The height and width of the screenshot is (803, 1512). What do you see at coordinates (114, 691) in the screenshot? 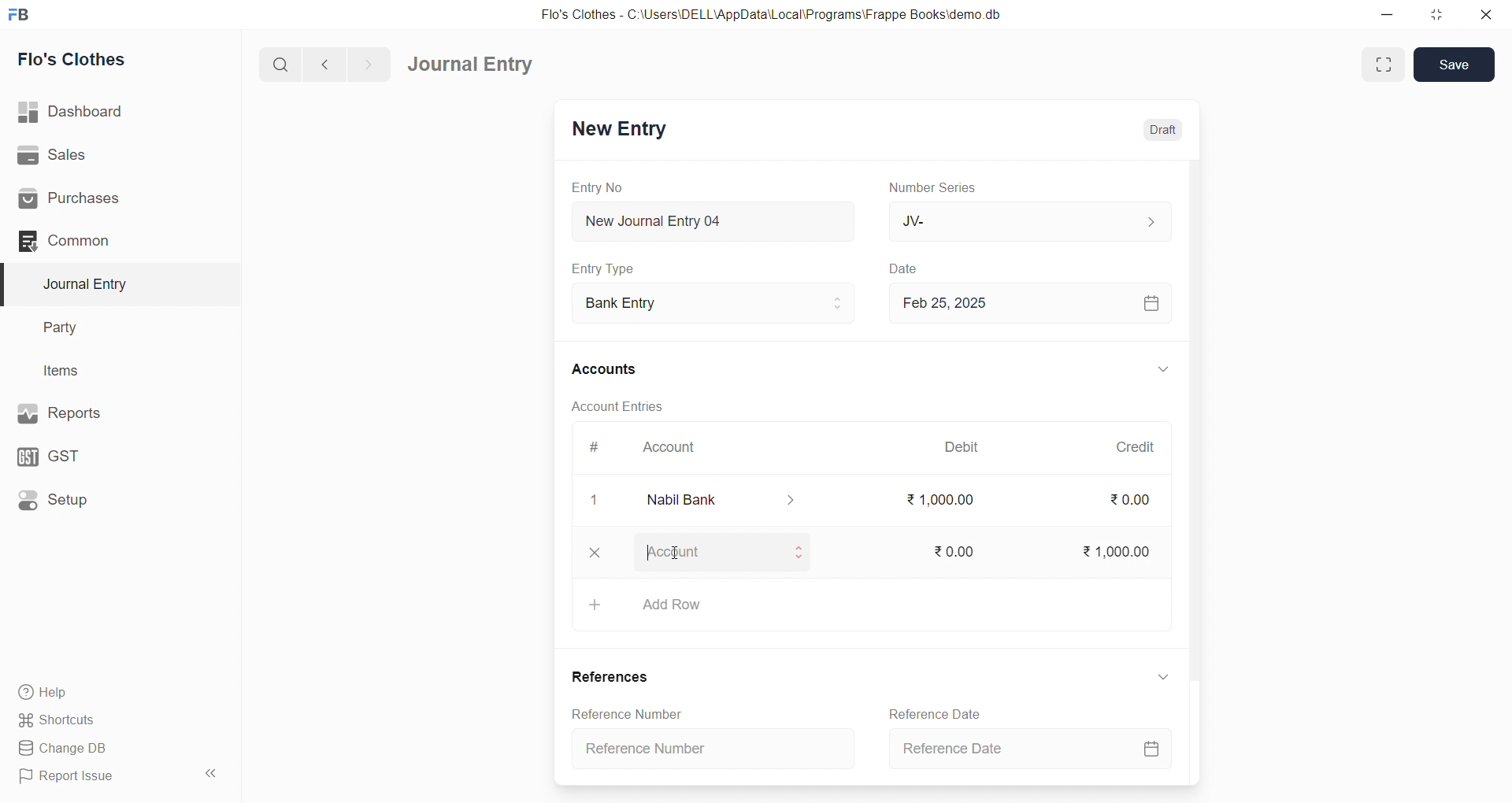
I see `Help` at bounding box center [114, 691].